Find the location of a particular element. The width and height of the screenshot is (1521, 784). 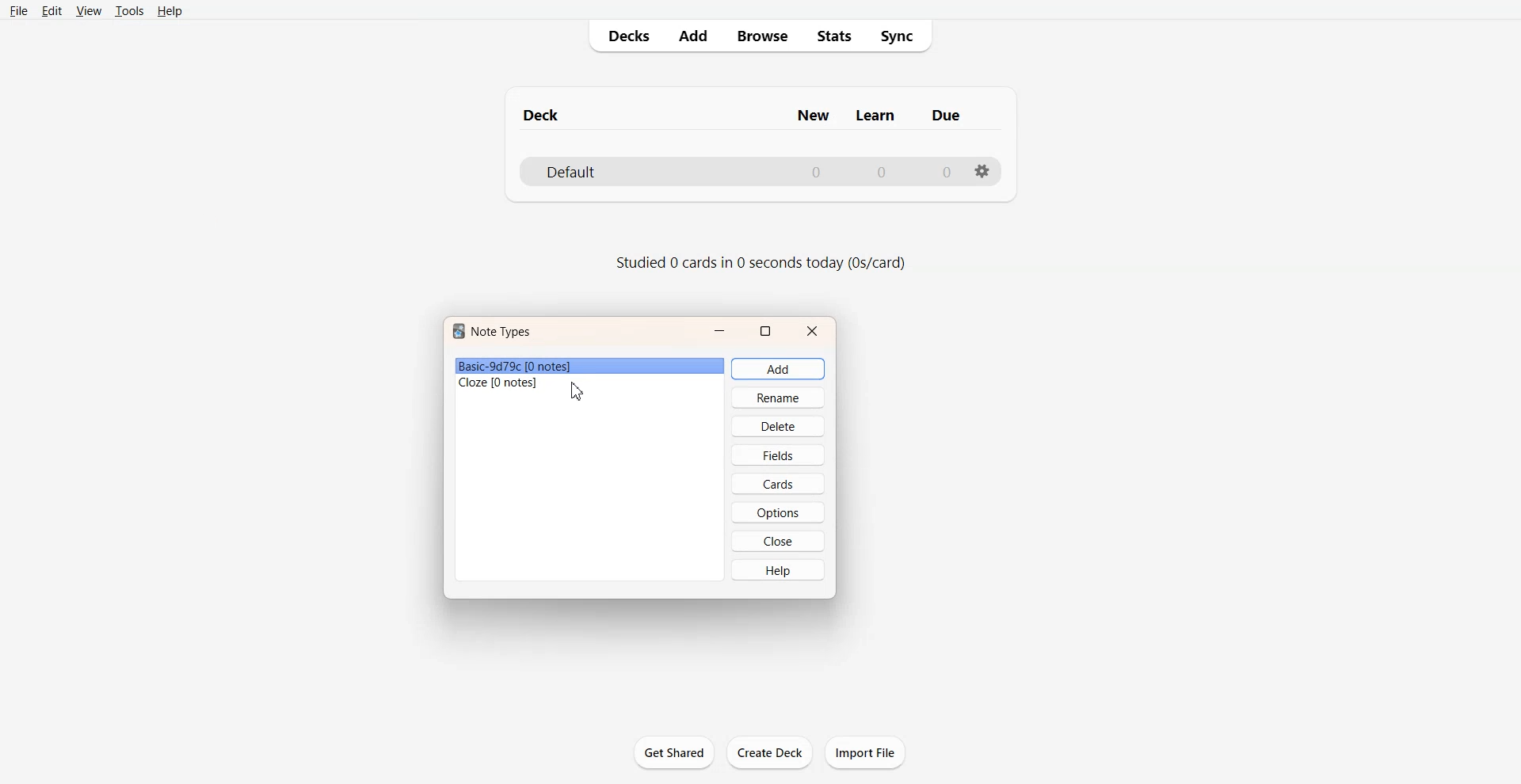

Create Deck is located at coordinates (769, 752).